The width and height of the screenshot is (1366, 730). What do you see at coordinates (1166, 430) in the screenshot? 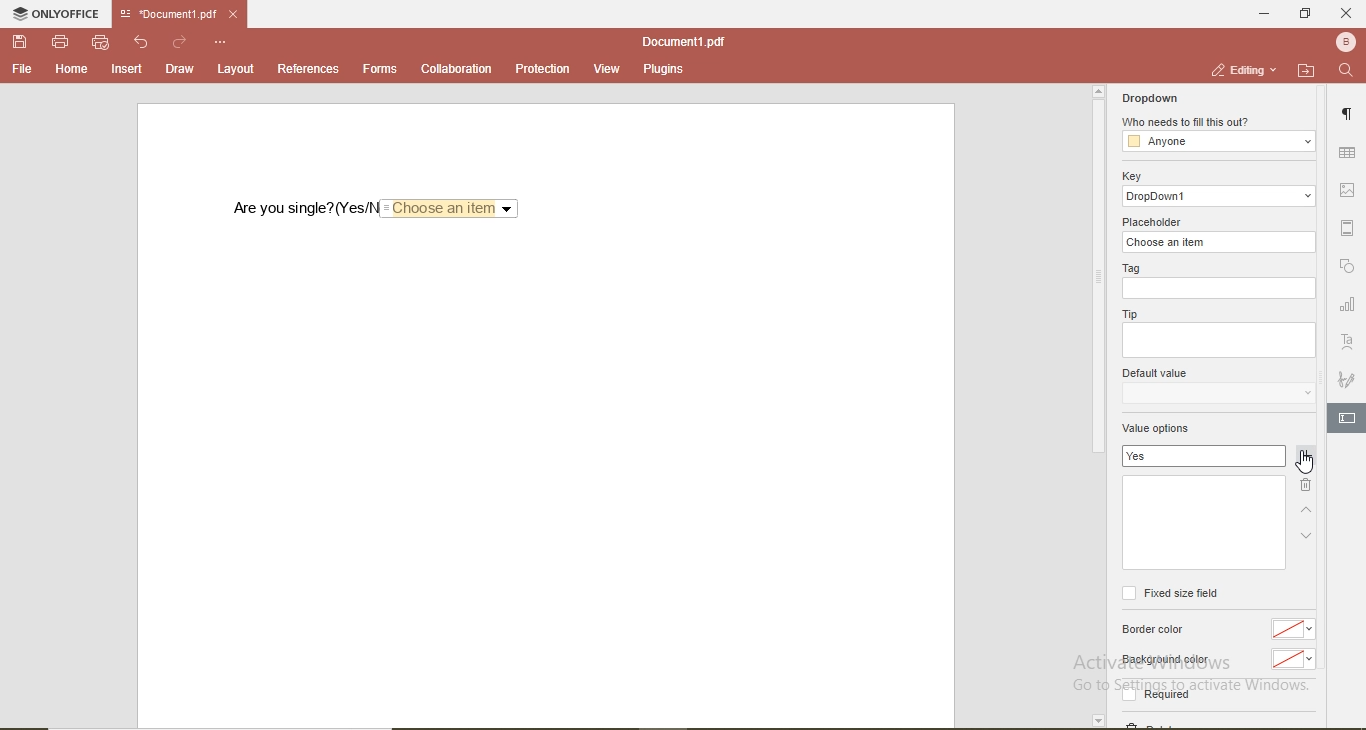
I see `value options` at bounding box center [1166, 430].